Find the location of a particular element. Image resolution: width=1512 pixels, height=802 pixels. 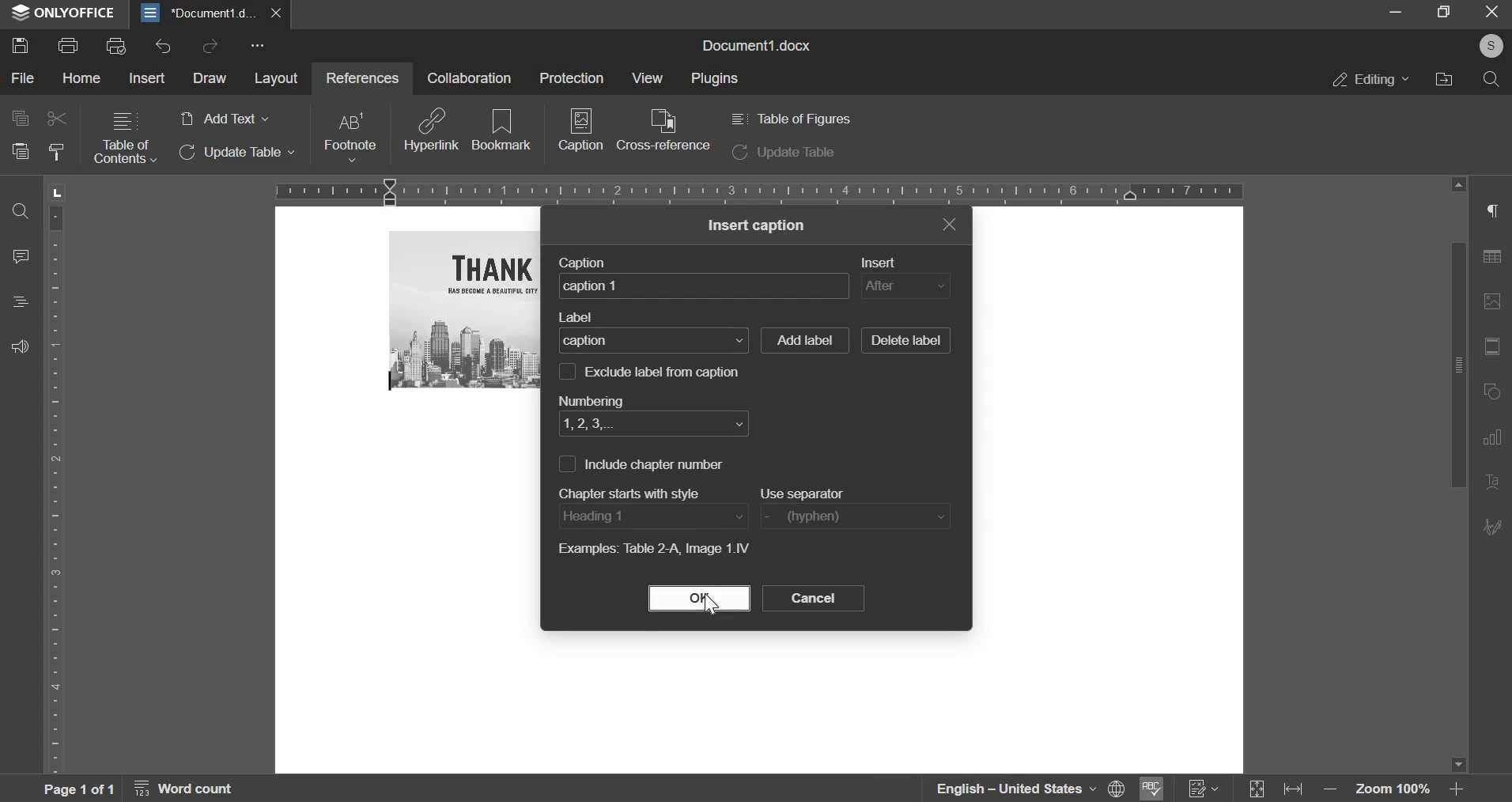

update table is located at coordinates (238, 153).